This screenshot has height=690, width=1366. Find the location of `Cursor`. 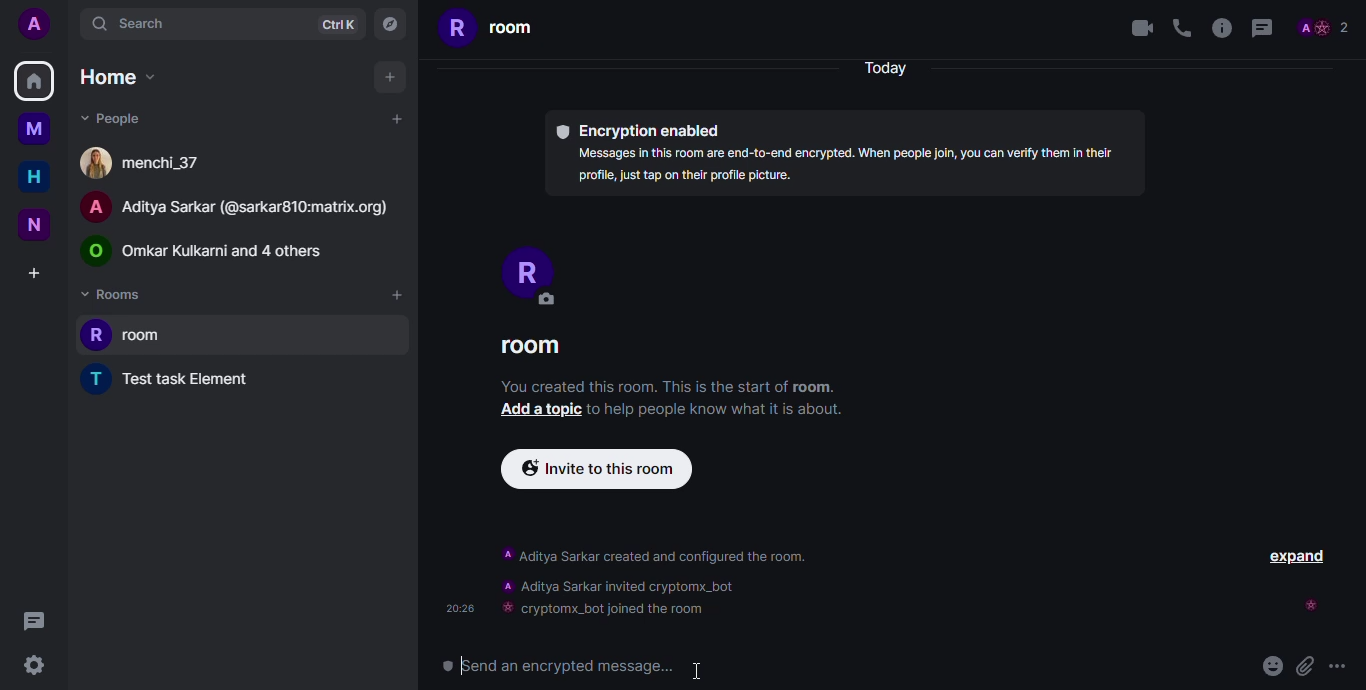

Cursor is located at coordinates (696, 672).